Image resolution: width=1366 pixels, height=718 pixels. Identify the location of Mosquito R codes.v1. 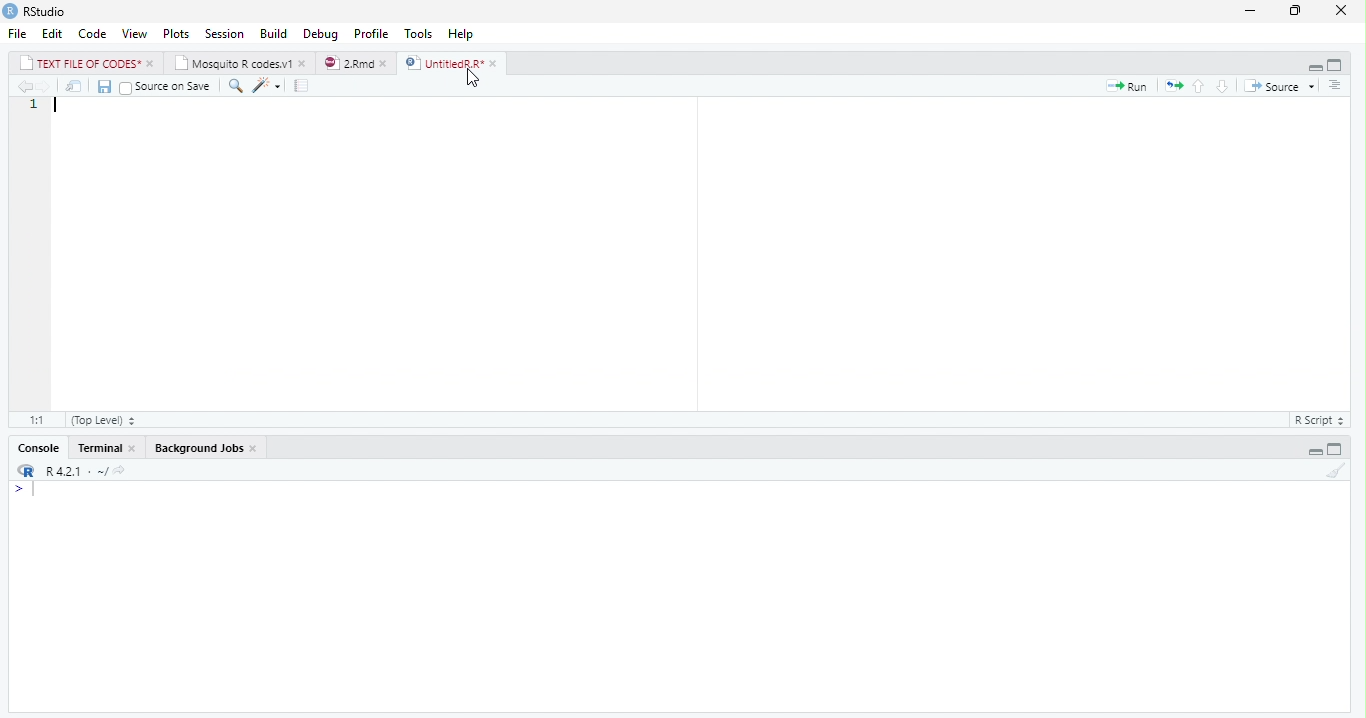
(235, 64).